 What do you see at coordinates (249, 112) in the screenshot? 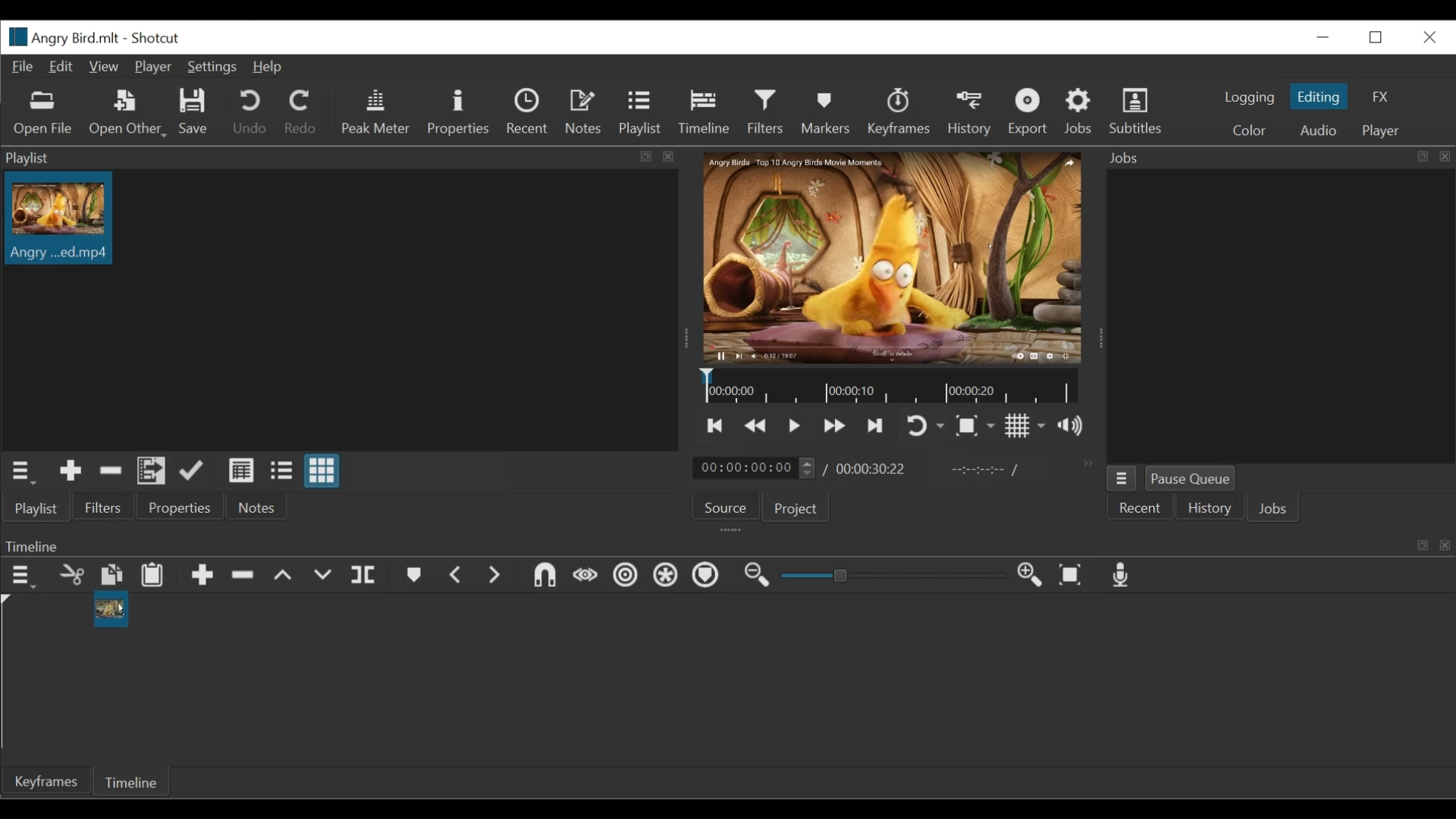
I see `Undo` at bounding box center [249, 112].